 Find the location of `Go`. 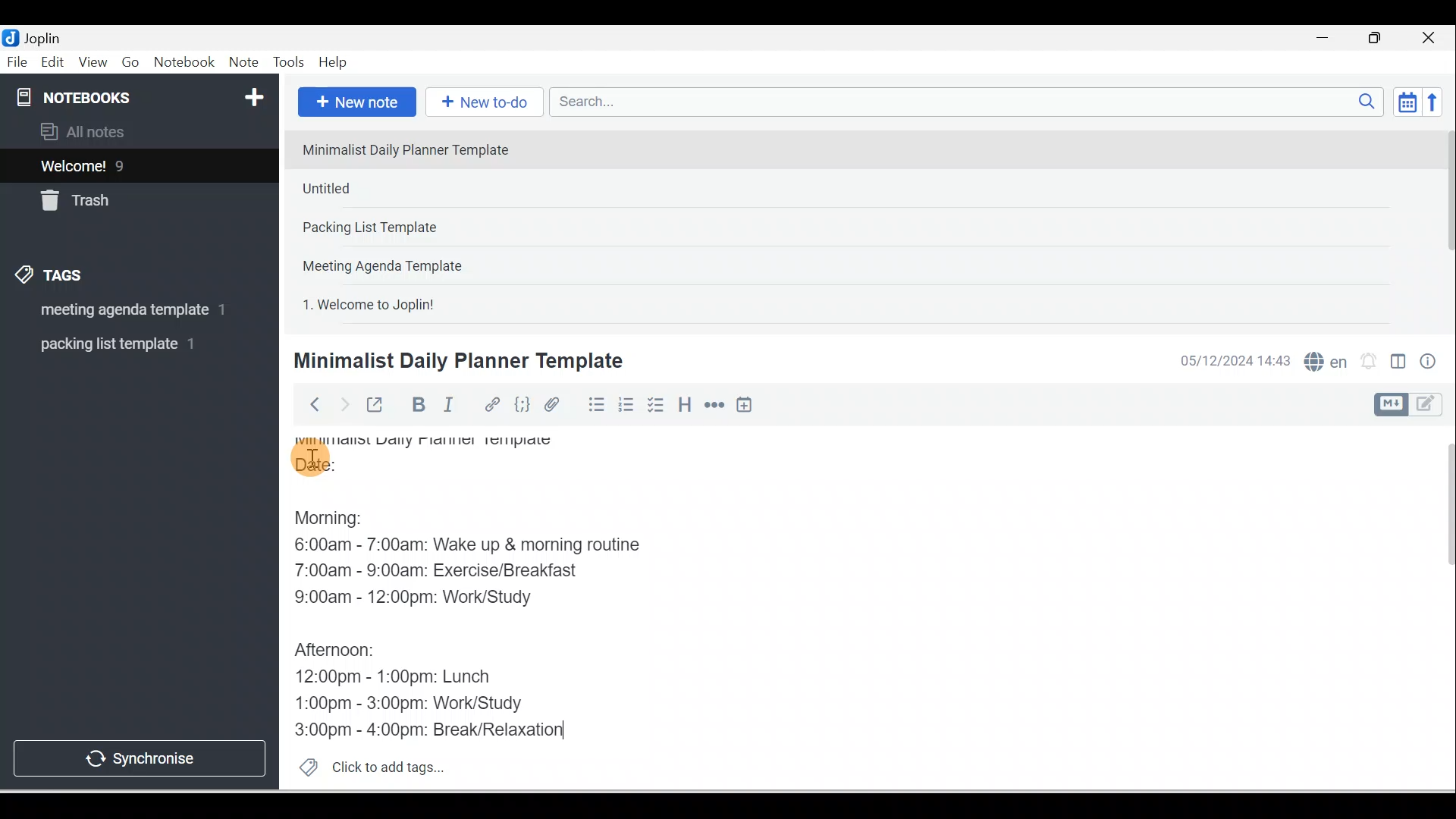

Go is located at coordinates (133, 63).